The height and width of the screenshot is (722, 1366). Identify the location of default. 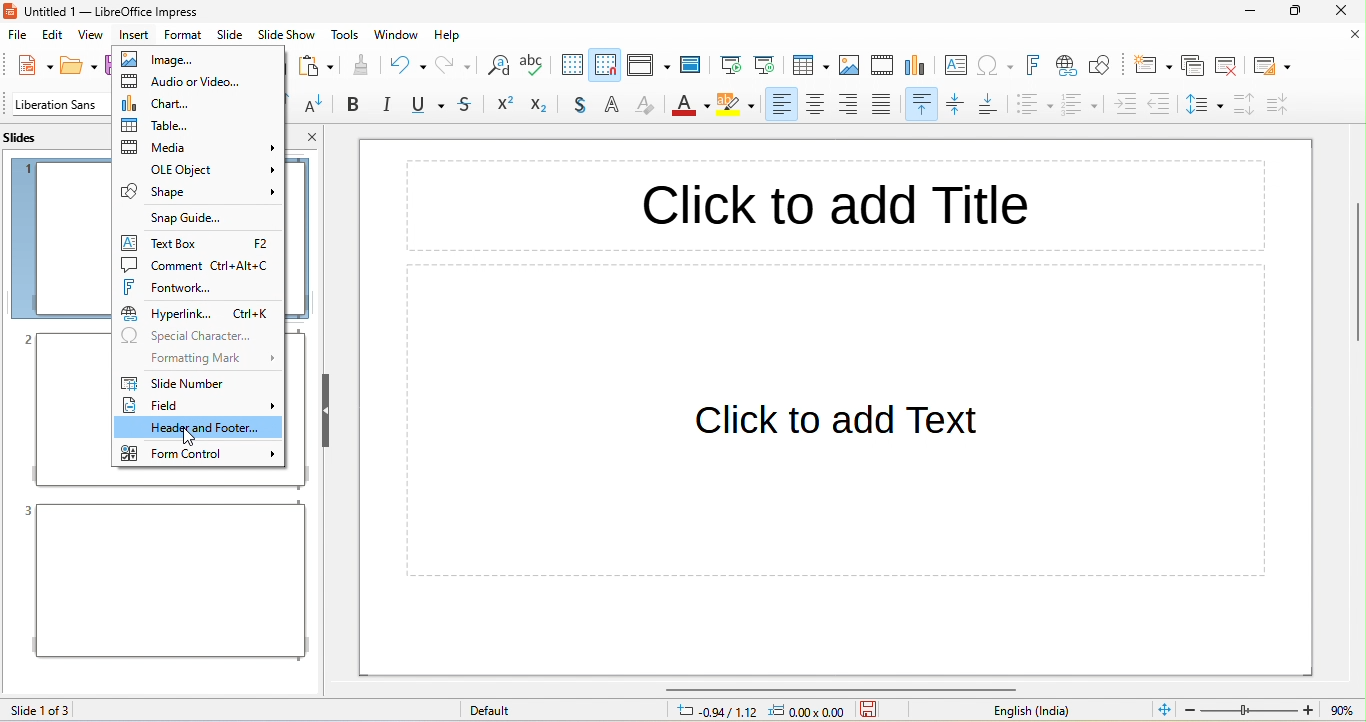
(502, 711).